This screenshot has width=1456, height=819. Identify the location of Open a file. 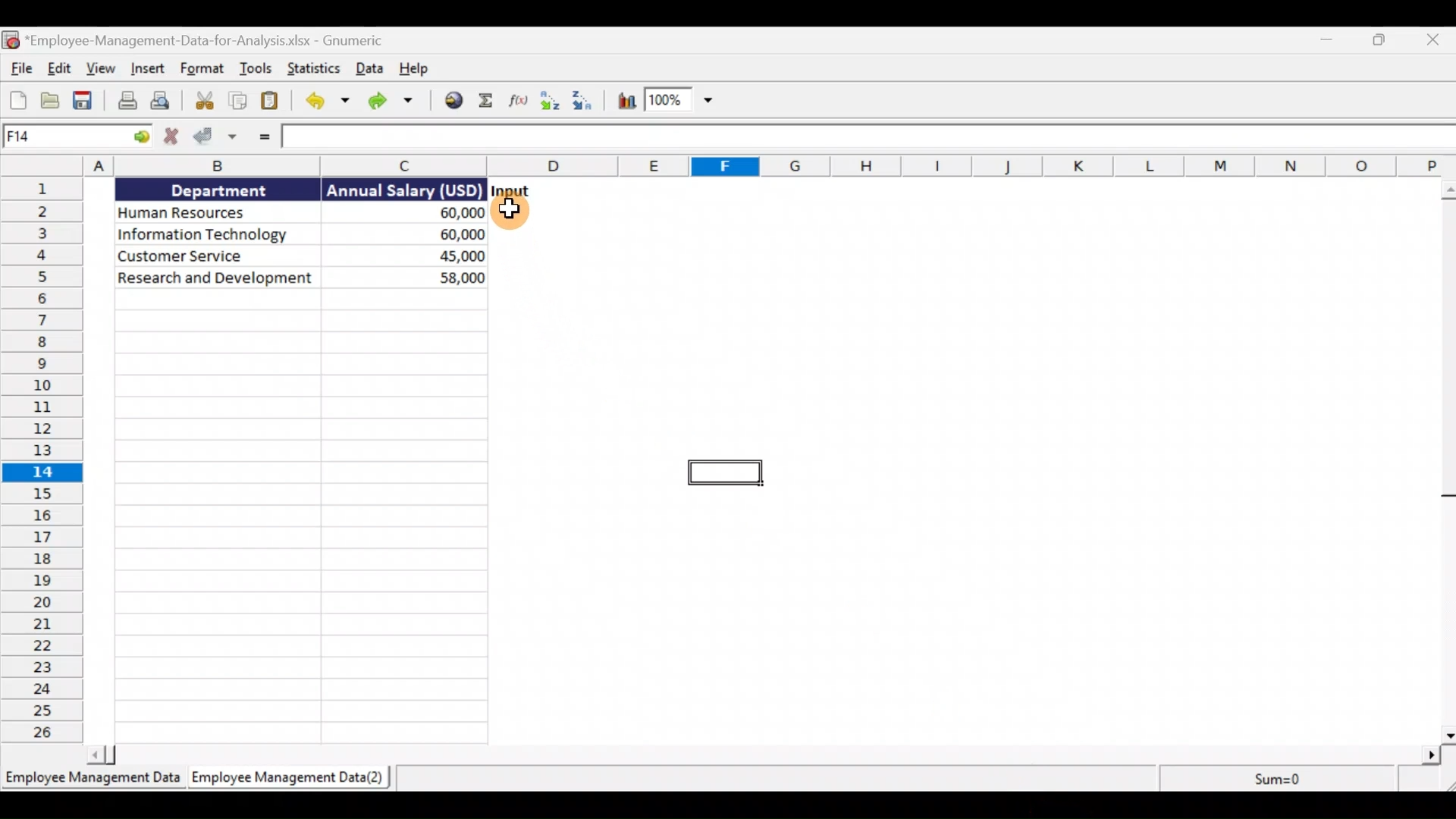
(47, 100).